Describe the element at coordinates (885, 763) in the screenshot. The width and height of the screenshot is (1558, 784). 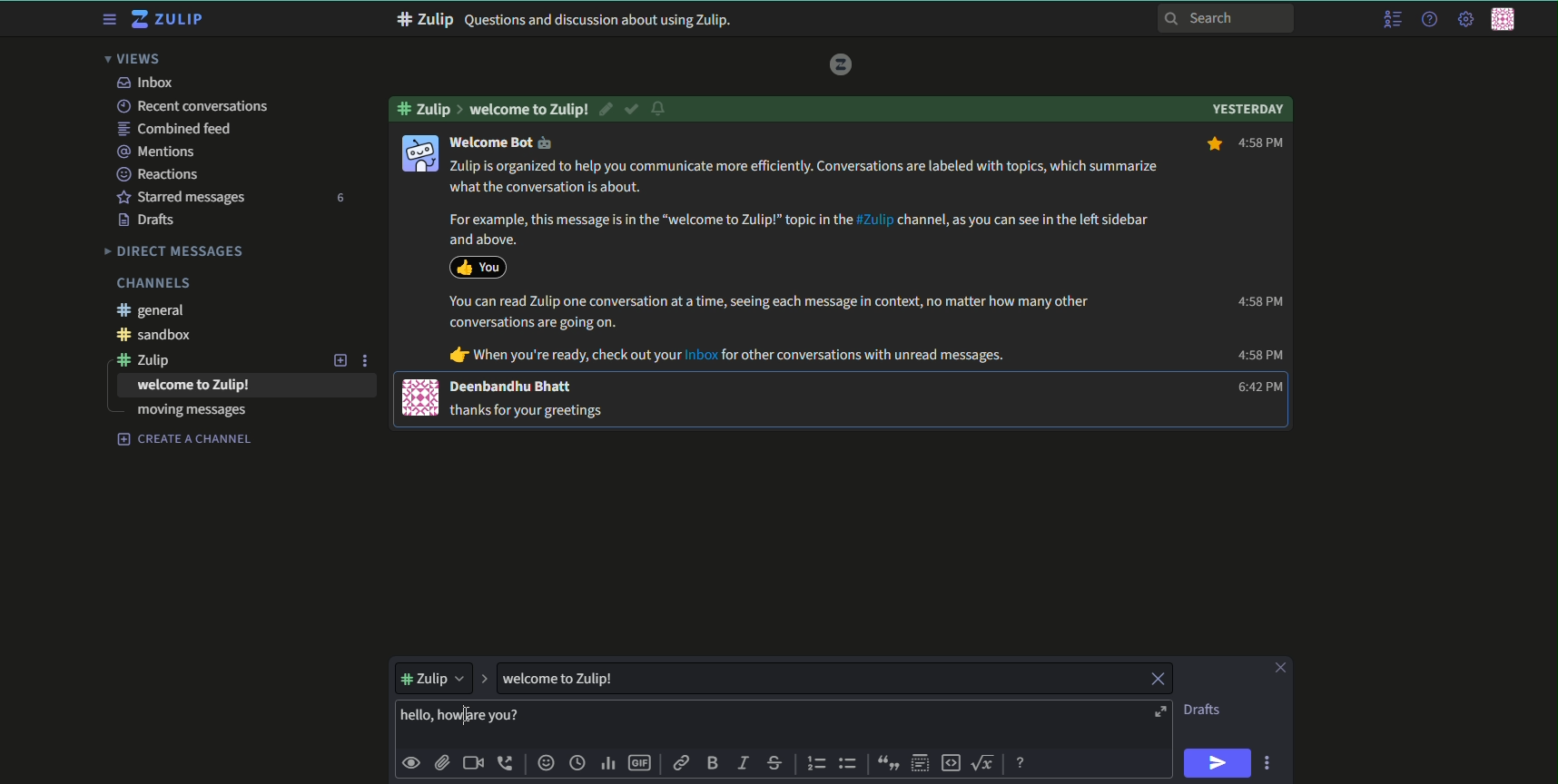
I see `quote` at that location.